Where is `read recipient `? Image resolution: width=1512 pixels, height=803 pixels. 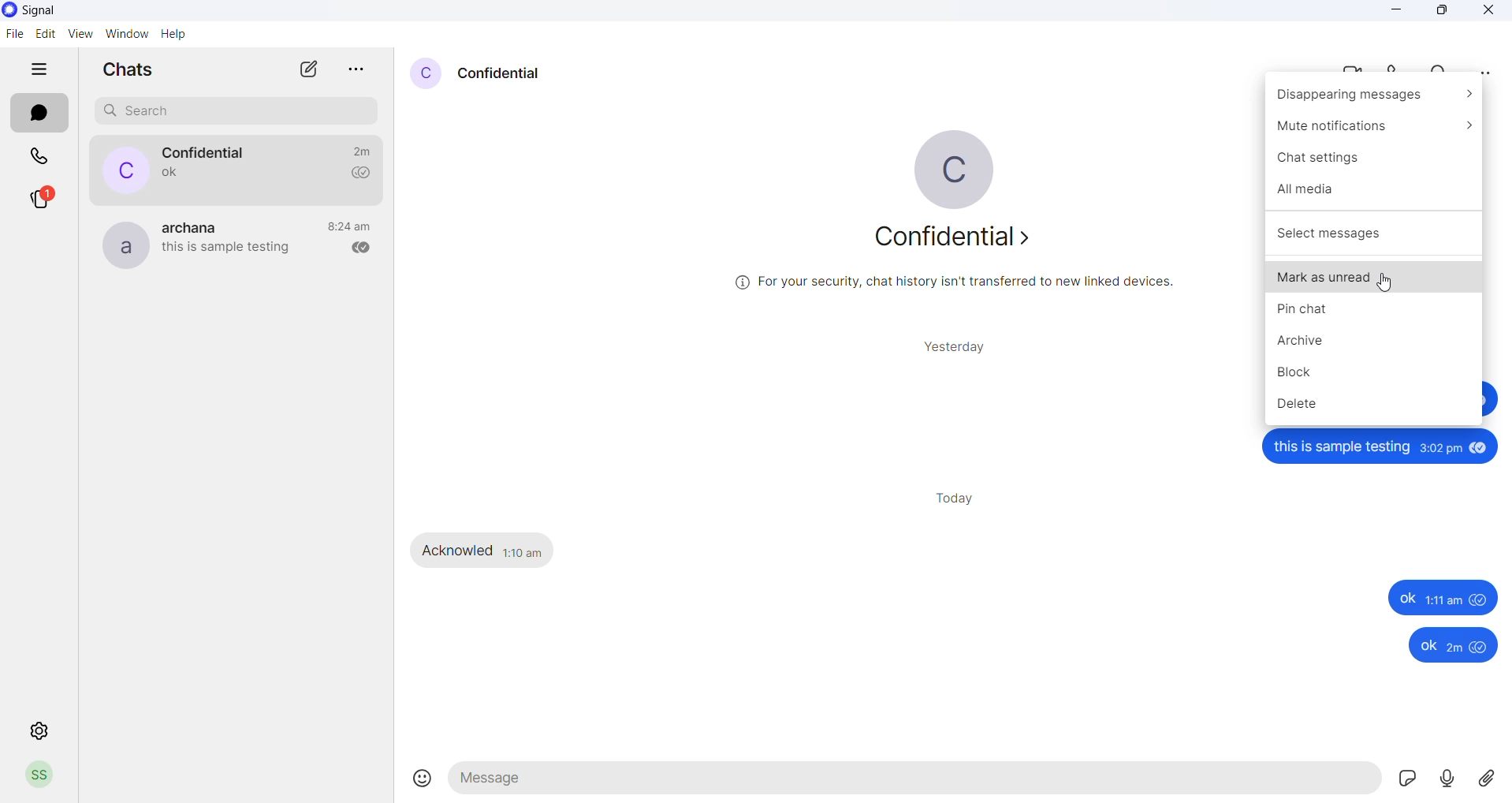 read recipient  is located at coordinates (356, 248).